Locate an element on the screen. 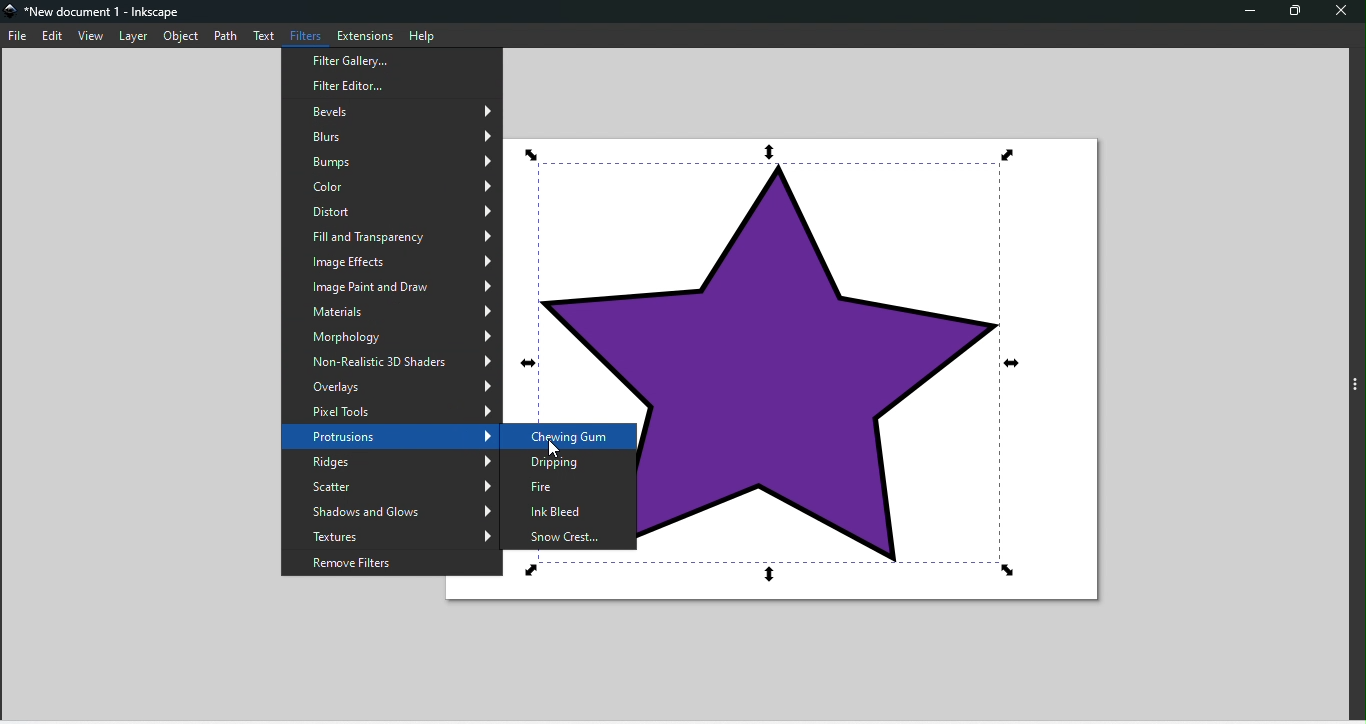  Path is located at coordinates (229, 36).